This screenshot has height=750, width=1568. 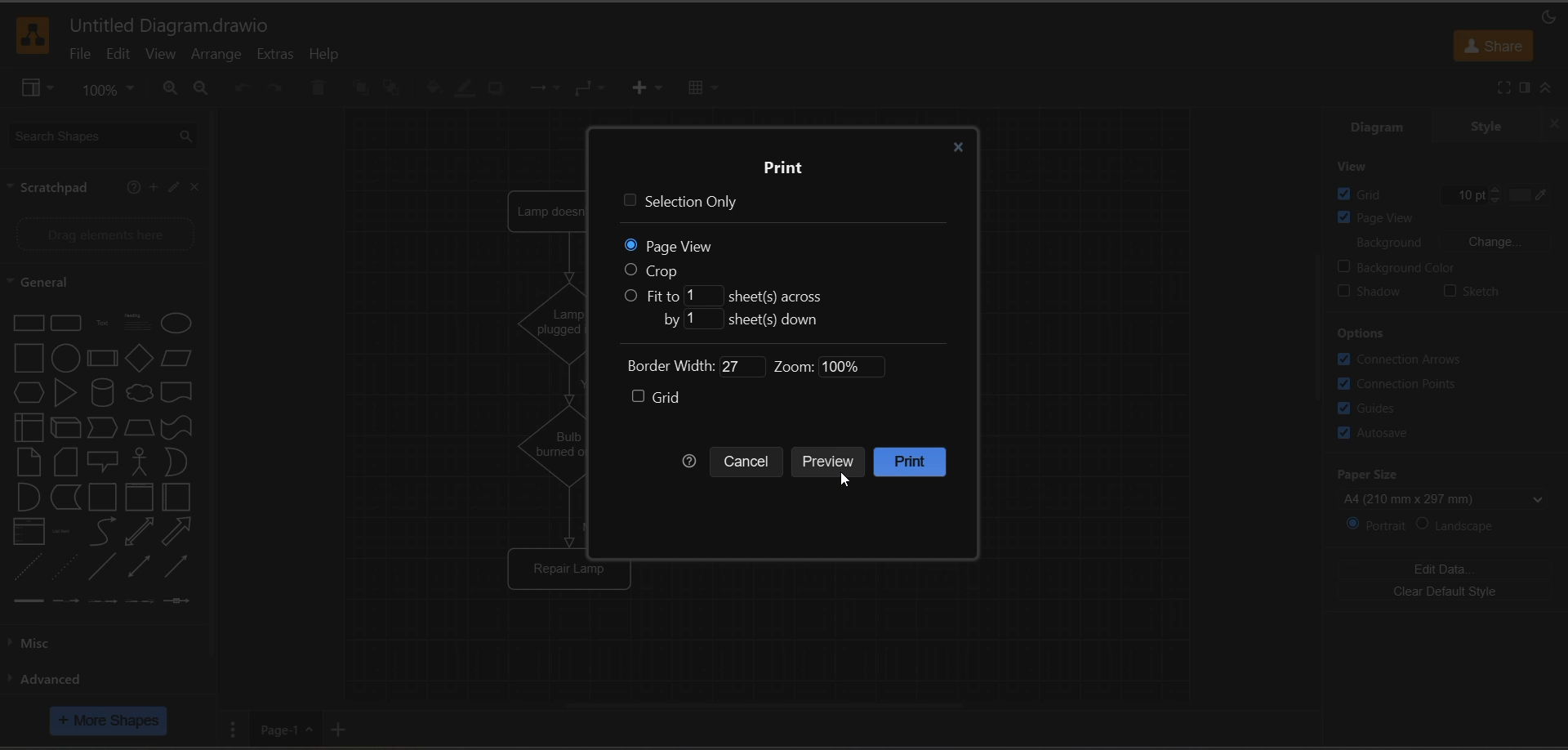 I want to click on page view, so click(x=1388, y=219).